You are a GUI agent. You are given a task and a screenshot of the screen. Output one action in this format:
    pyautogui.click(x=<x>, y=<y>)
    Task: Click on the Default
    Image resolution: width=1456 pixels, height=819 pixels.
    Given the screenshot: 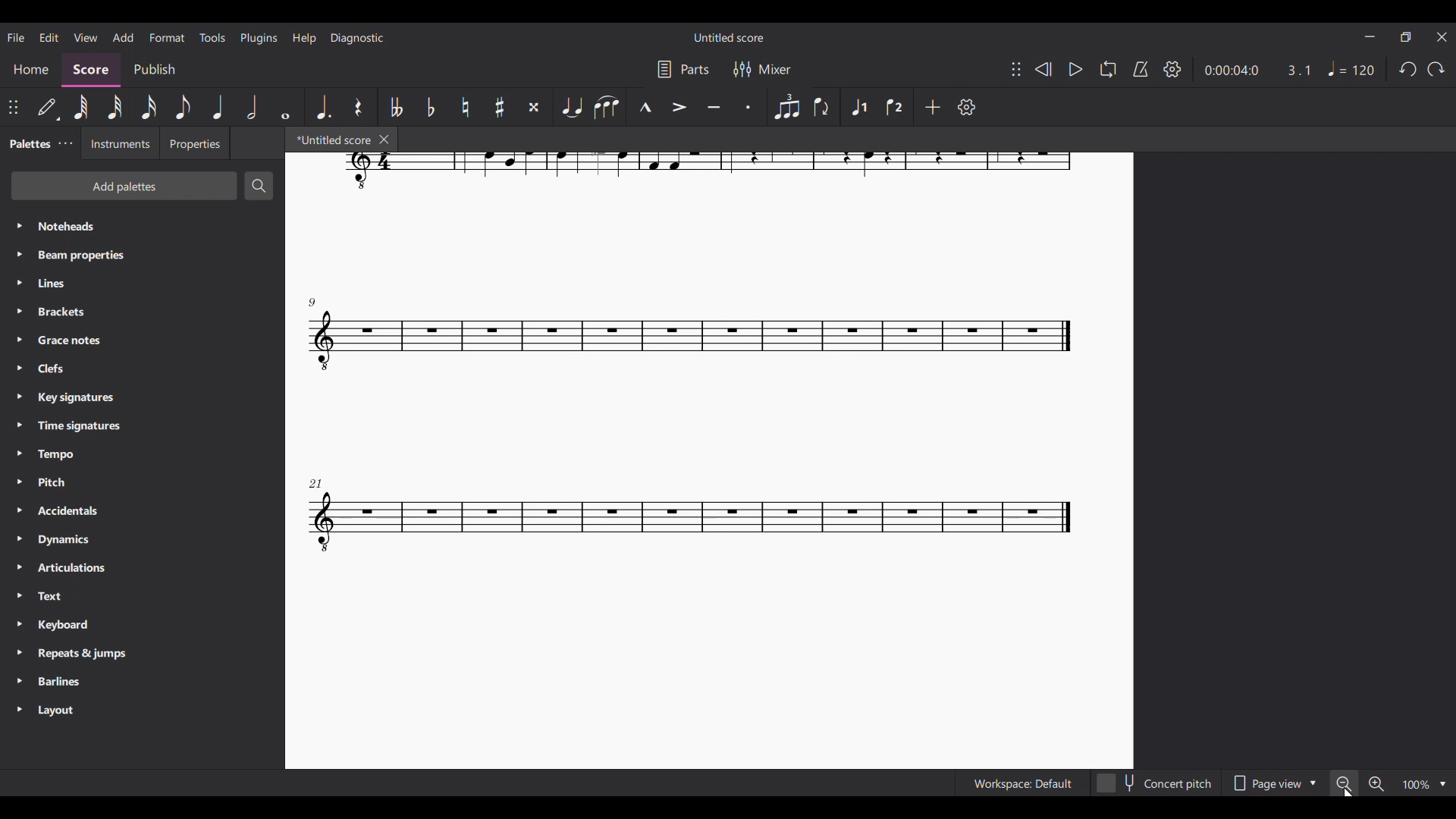 What is the action you would take?
    pyautogui.click(x=48, y=107)
    